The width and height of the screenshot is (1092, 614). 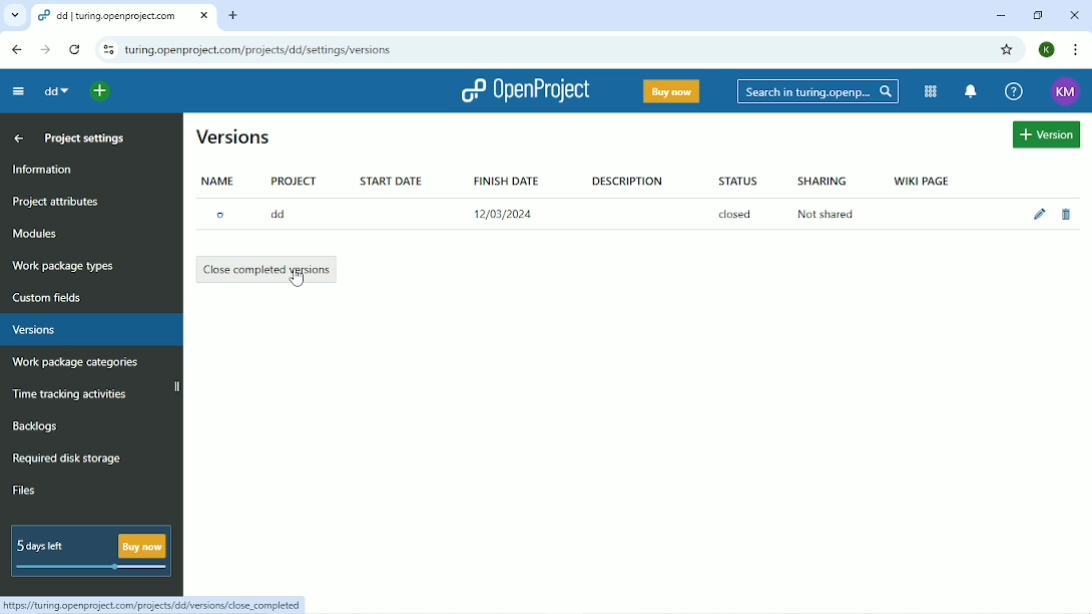 I want to click on Close completed versions, so click(x=267, y=268).